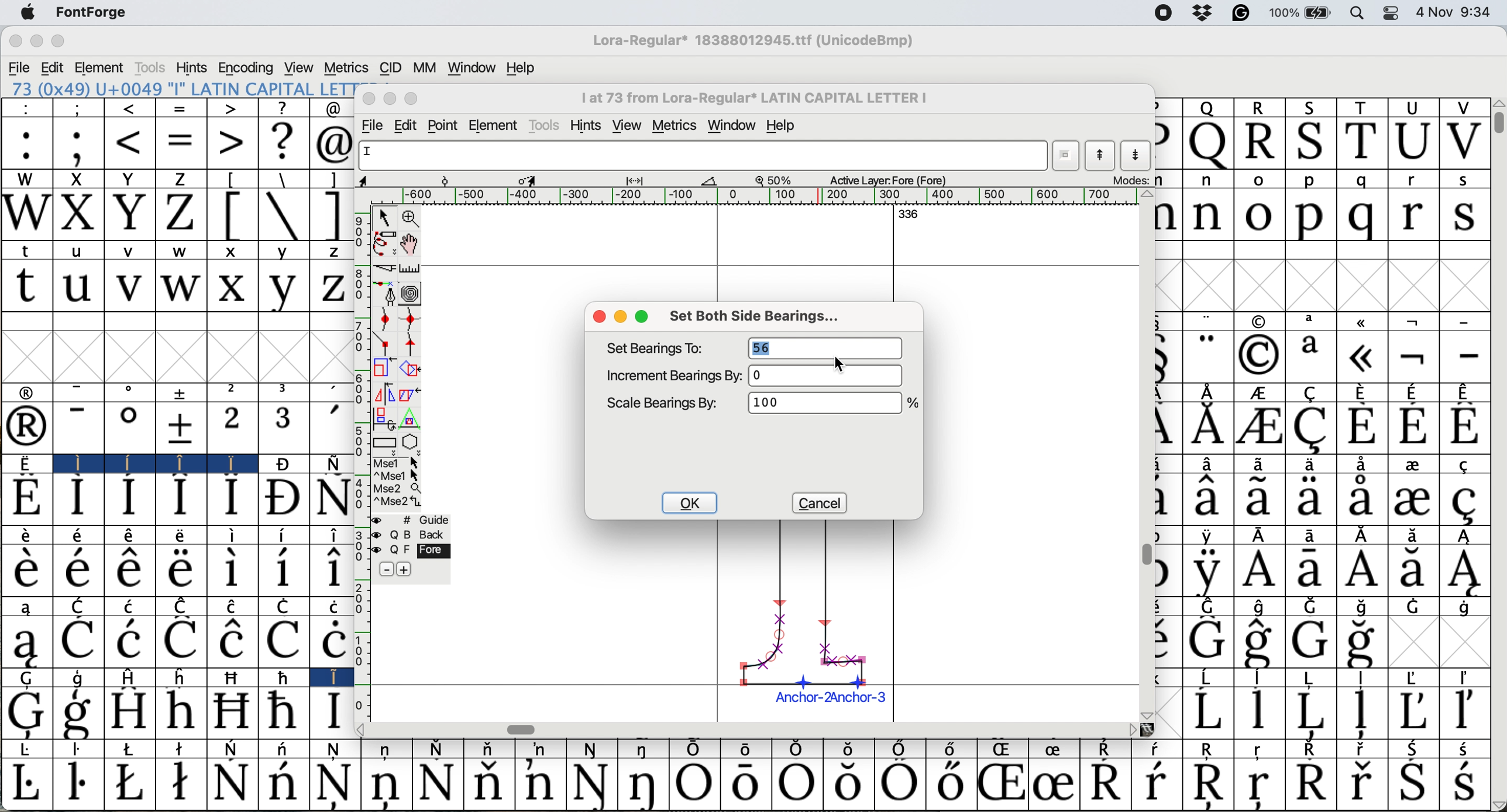  Describe the element at coordinates (78, 428) in the screenshot. I see `-` at that location.